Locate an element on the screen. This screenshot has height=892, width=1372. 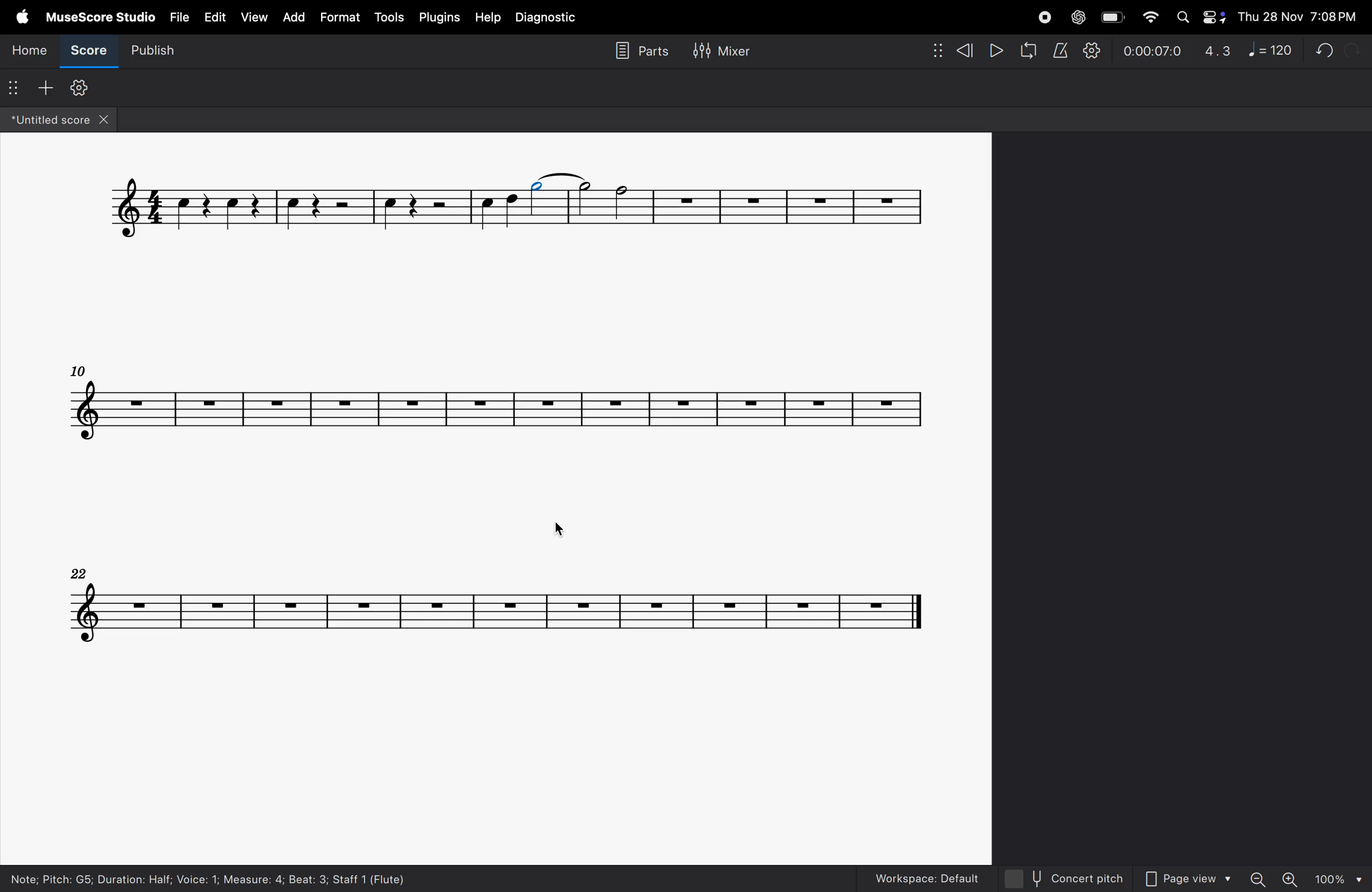
Mixer is located at coordinates (741, 52).